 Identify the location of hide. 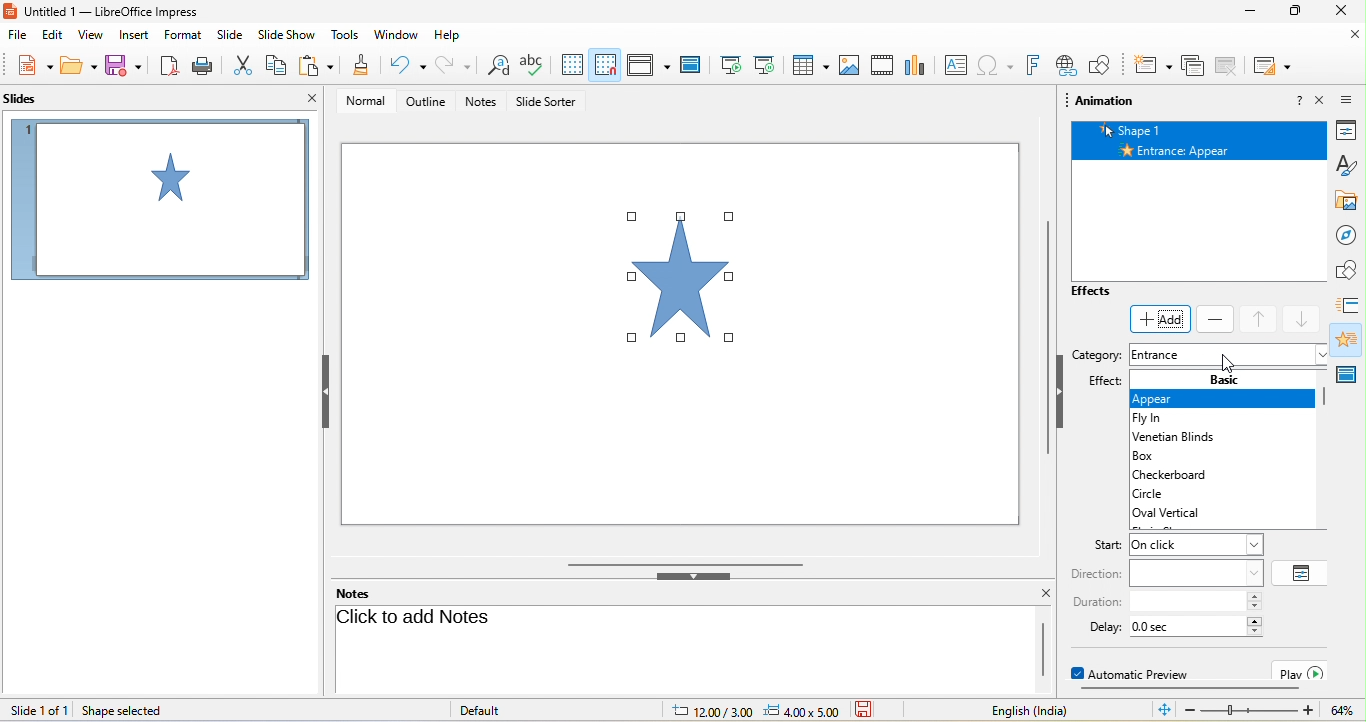
(1061, 396).